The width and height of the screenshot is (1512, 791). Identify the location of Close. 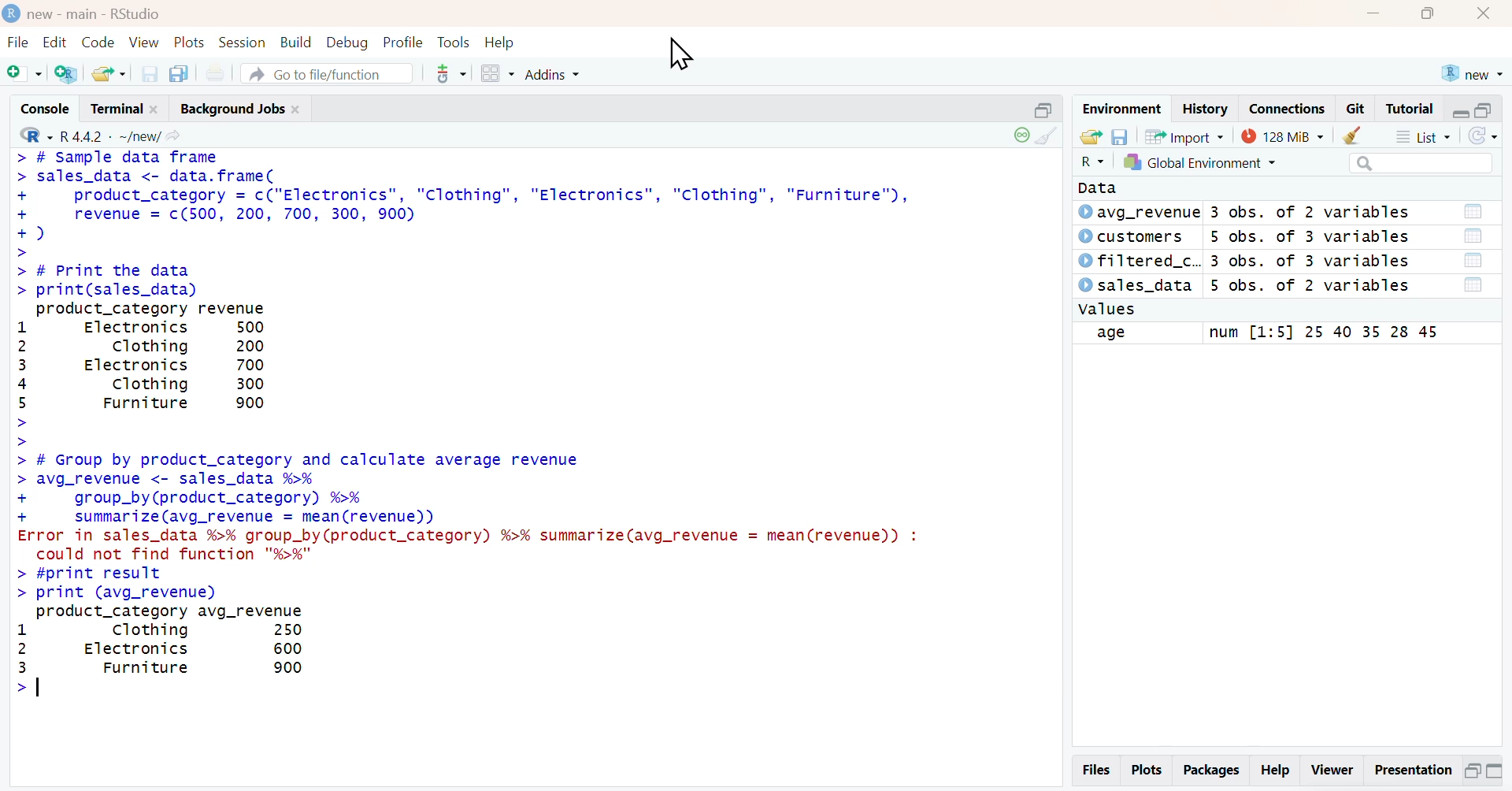
(1483, 14).